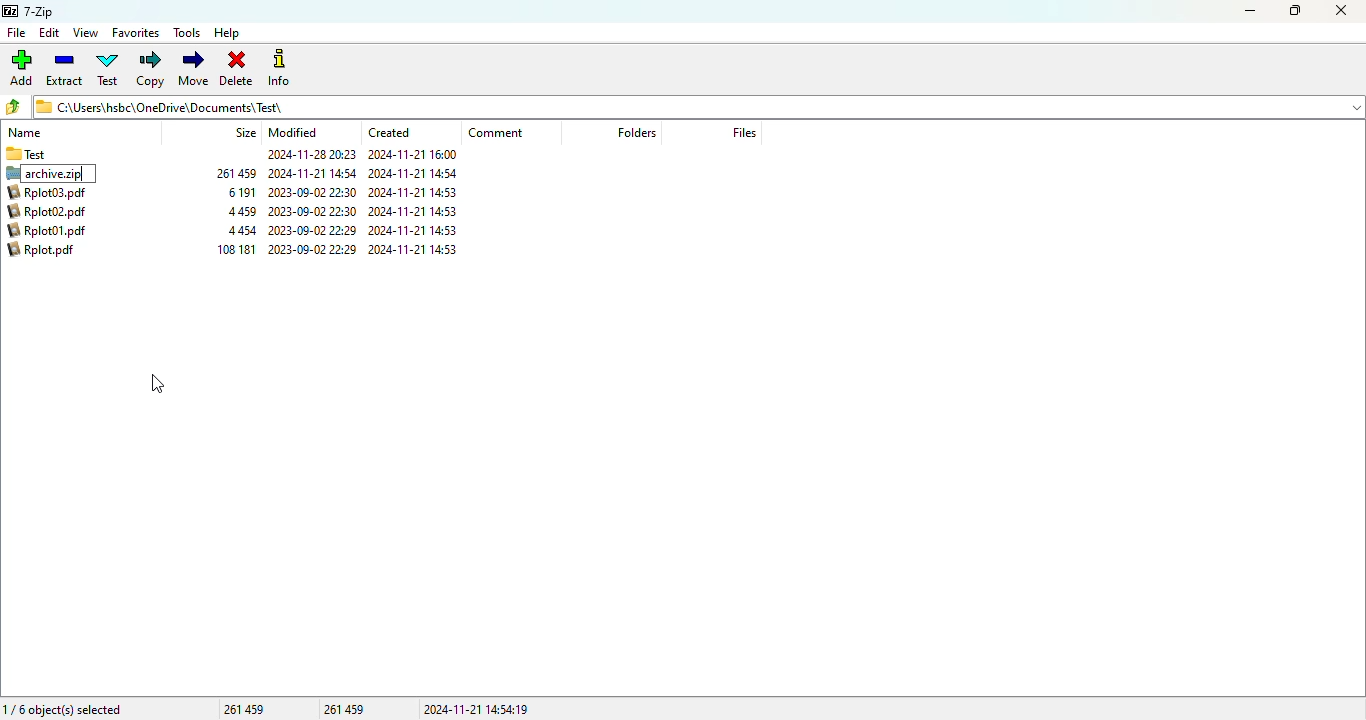  Describe the element at coordinates (389, 132) in the screenshot. I see `created` at that location.